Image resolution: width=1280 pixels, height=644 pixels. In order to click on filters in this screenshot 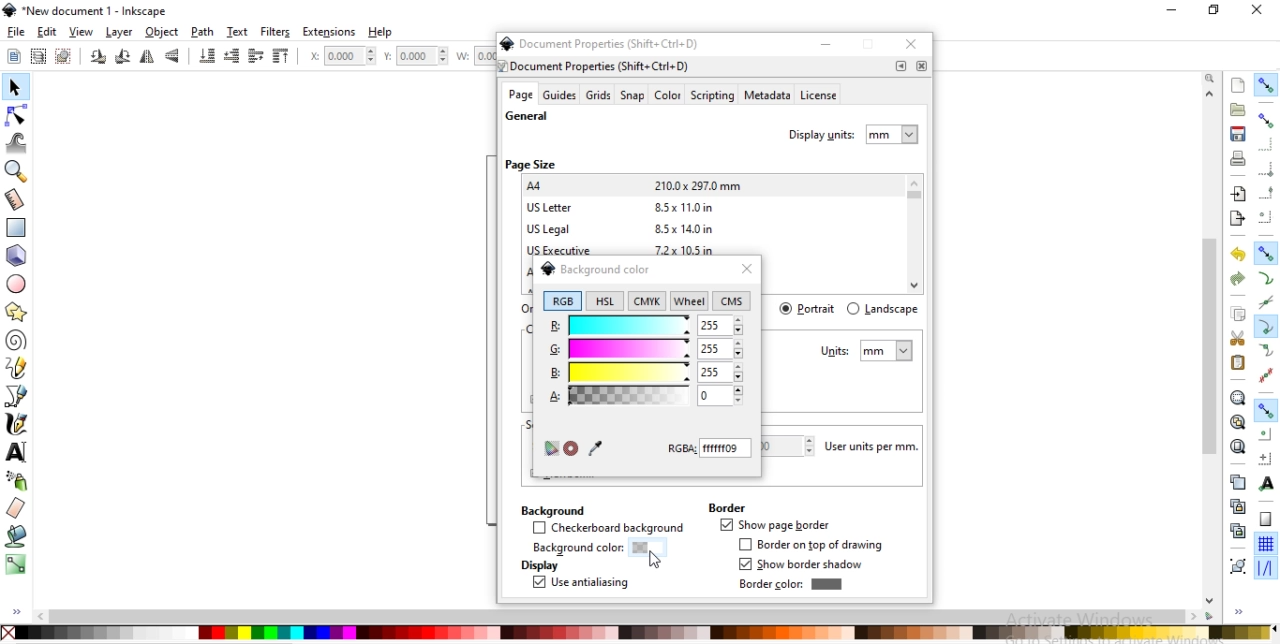, I will do `click(276, 32)`.